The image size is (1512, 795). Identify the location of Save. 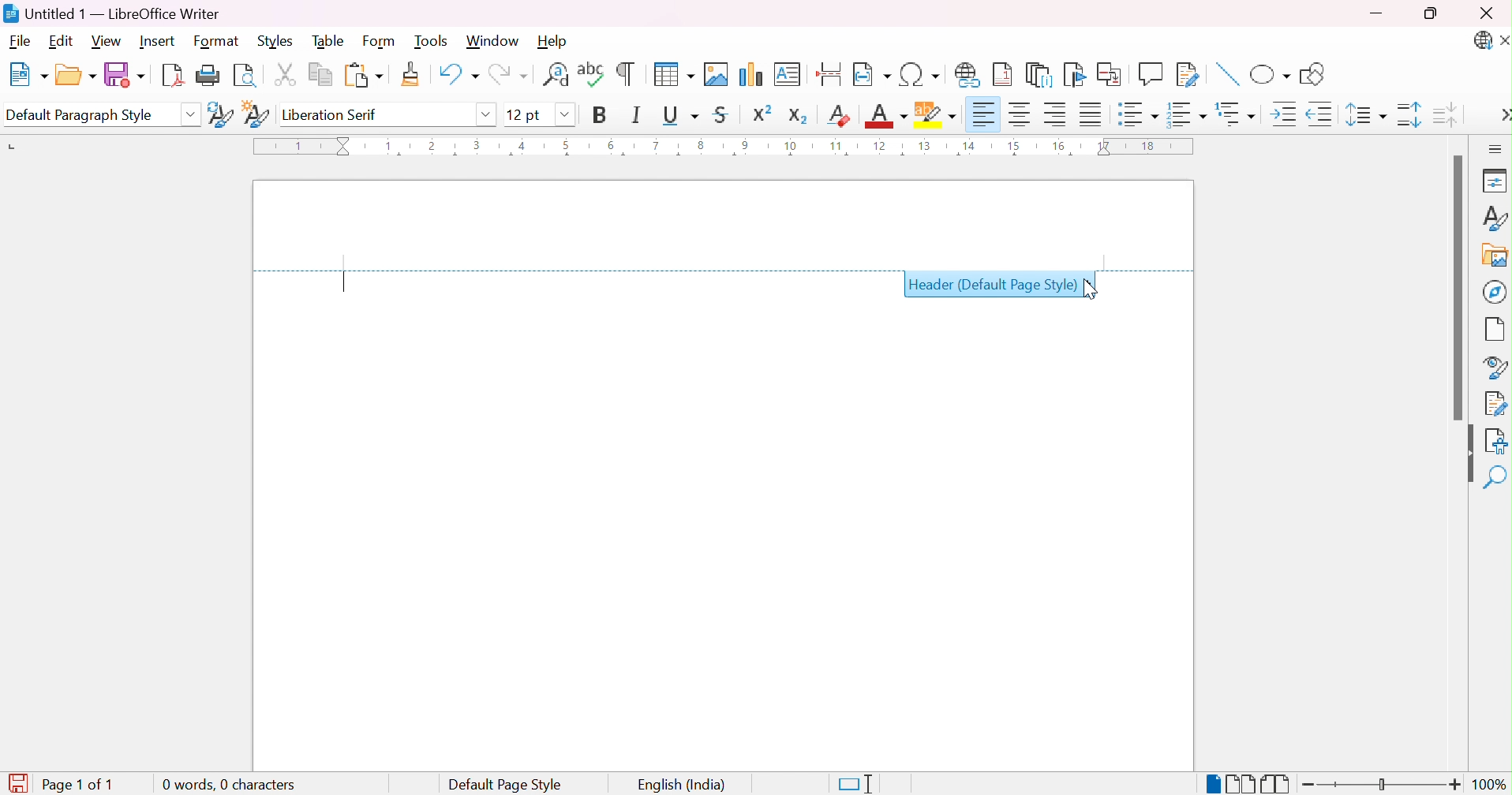
(127, 75).